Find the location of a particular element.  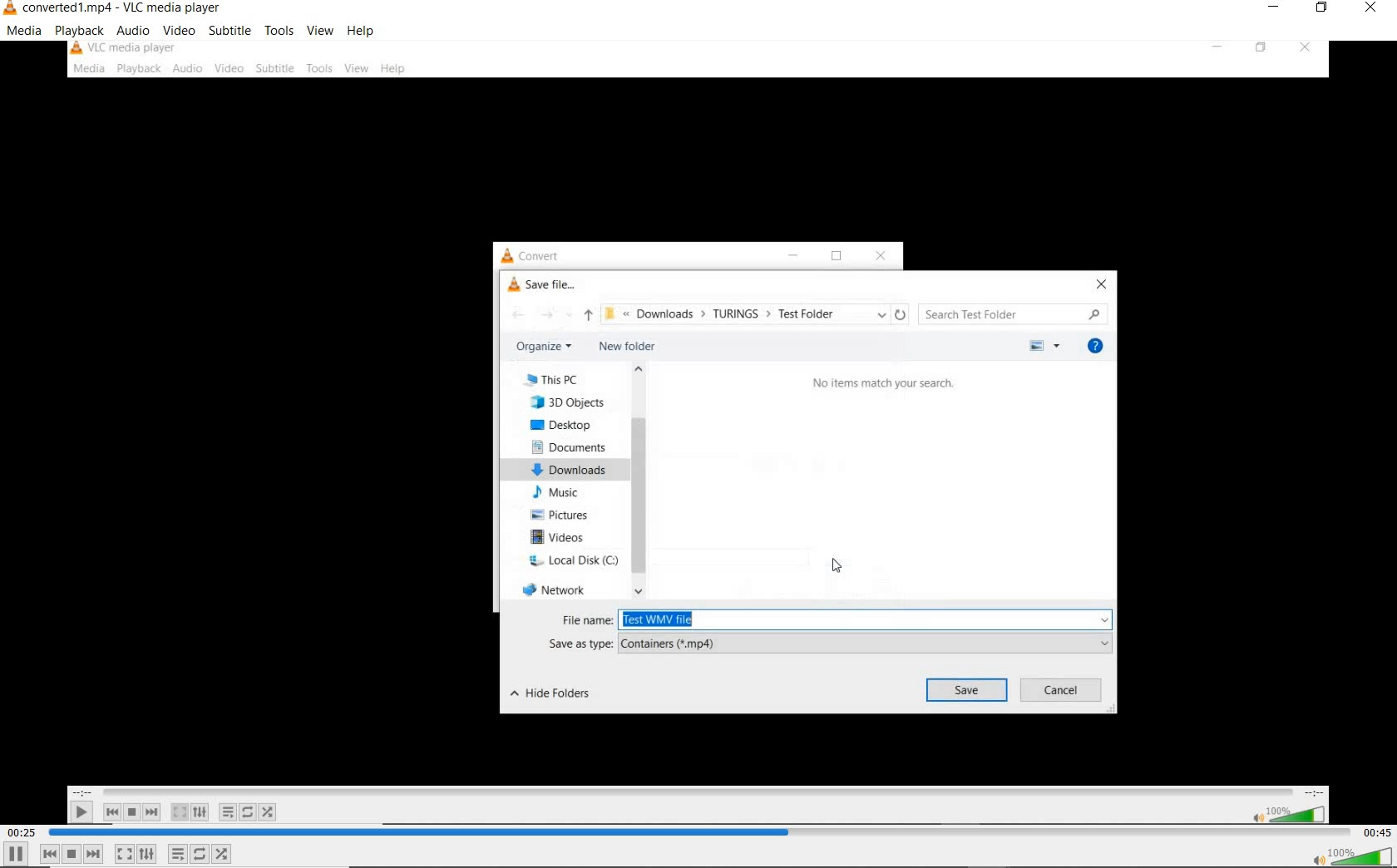

audio is located at coordinates (133, 32).